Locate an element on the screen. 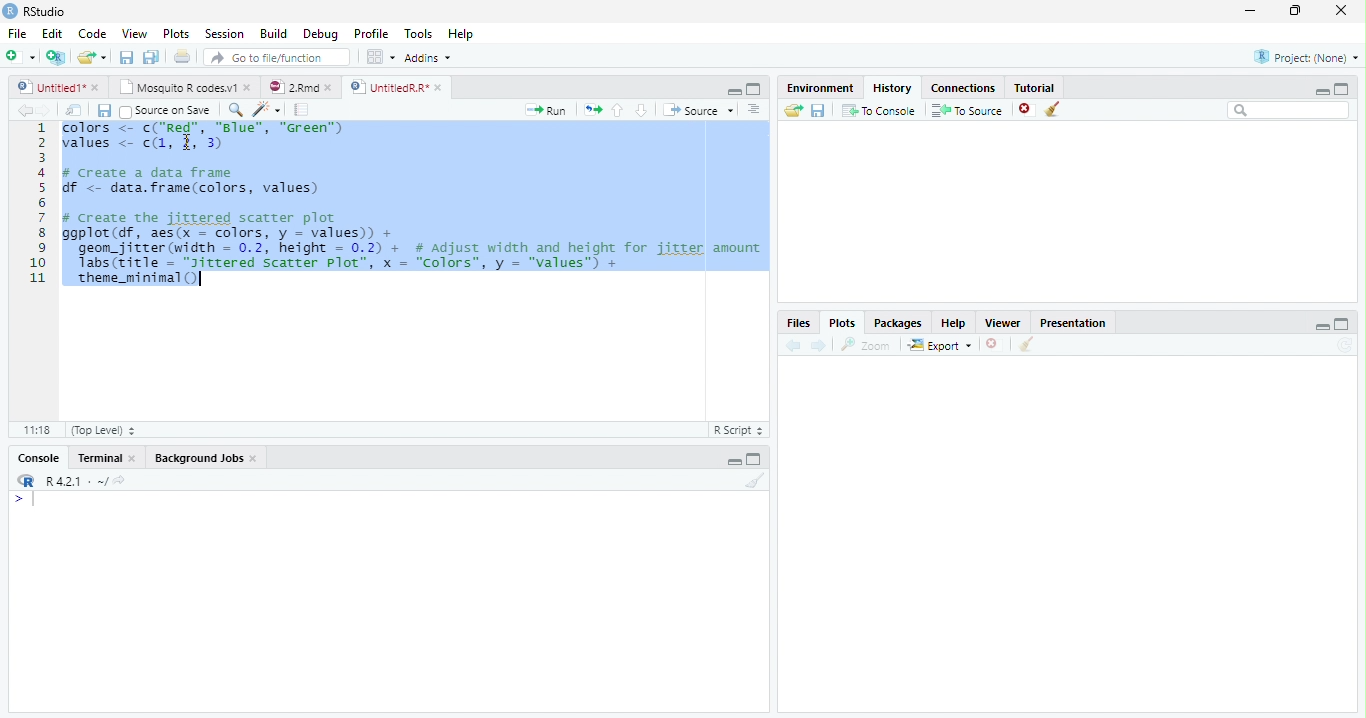 This screenshot has height=718, width=1366. cursor is located at coordinates (187, 142).